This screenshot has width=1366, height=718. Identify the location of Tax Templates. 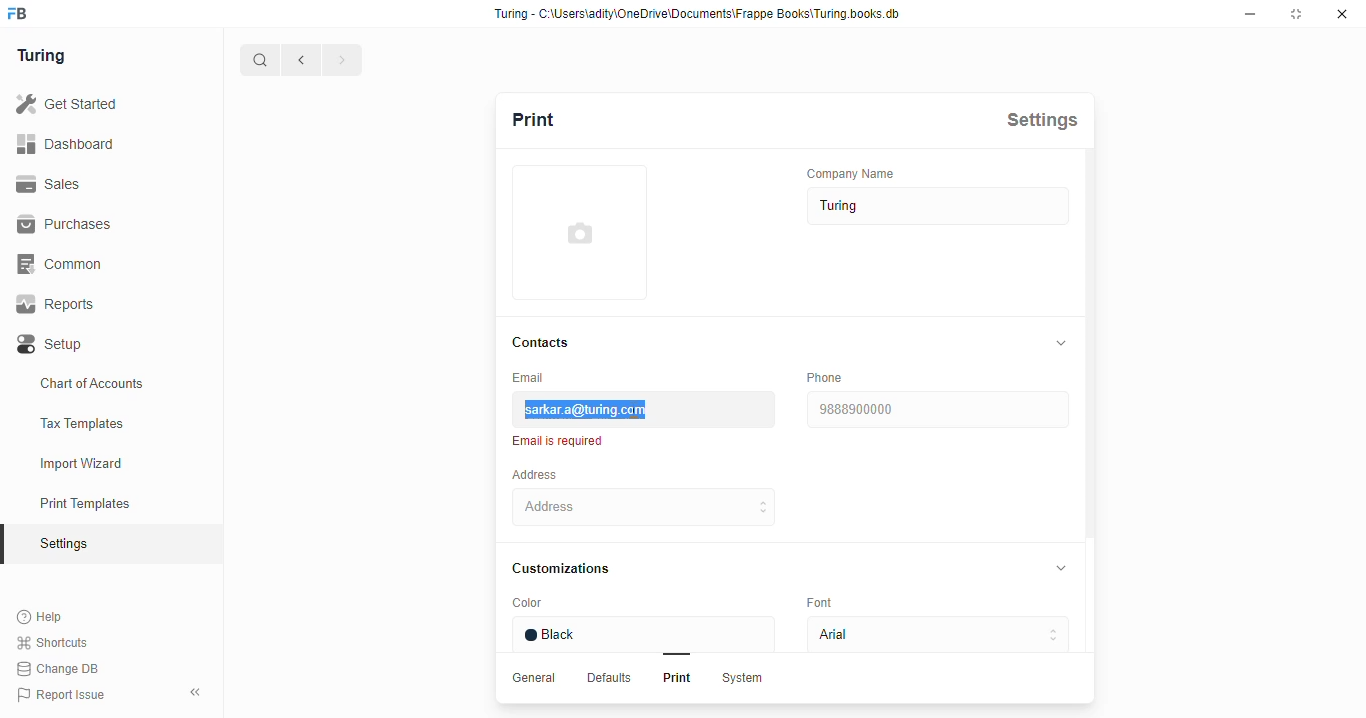
(110, 424).